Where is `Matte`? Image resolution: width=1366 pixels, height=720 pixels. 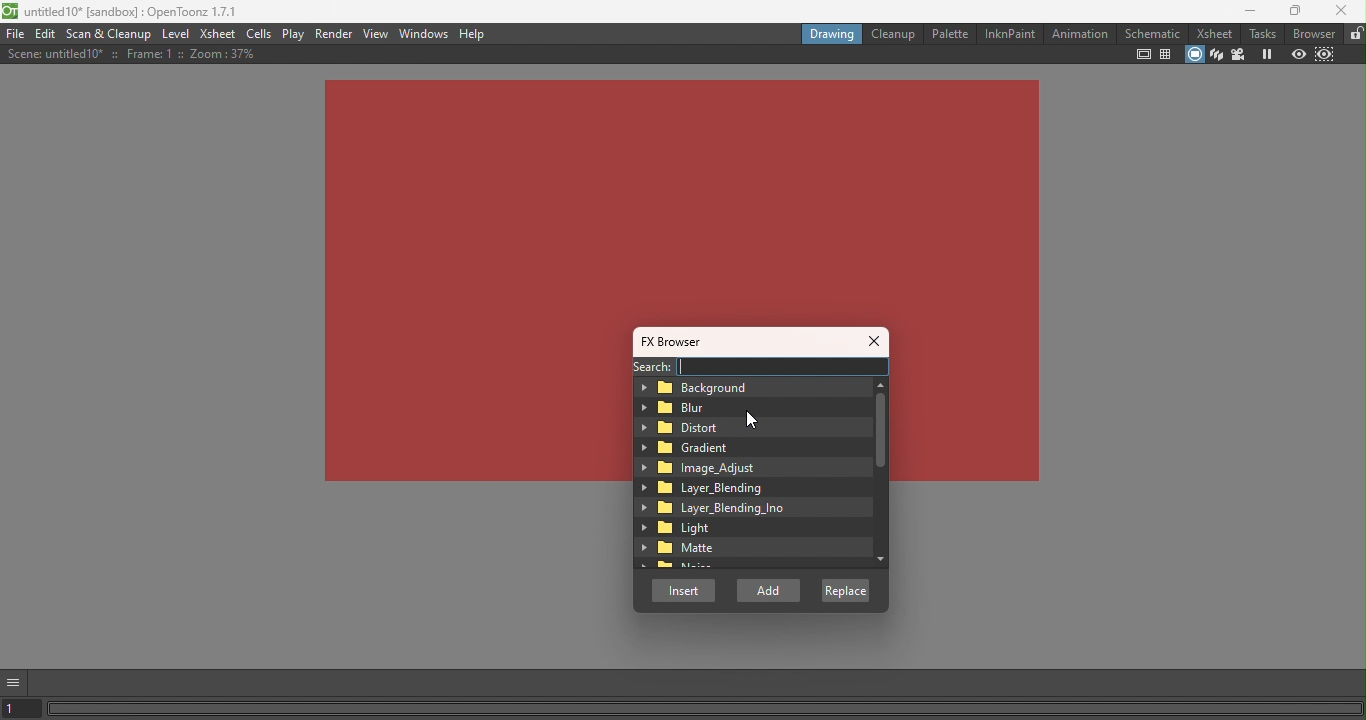 Matte is located at coordinates (680, 547).